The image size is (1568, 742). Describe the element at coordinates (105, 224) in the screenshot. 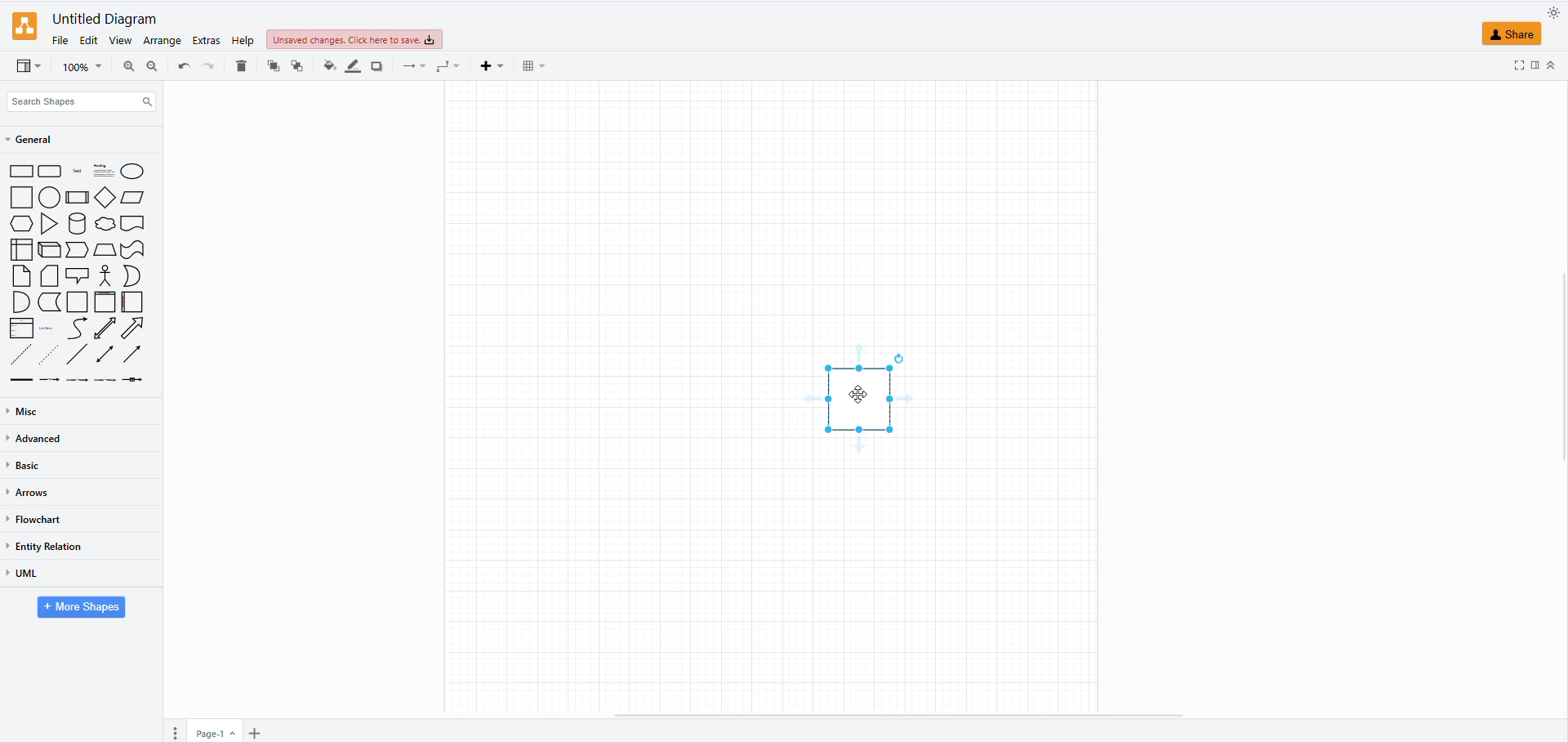

I see `cloud` at that location.